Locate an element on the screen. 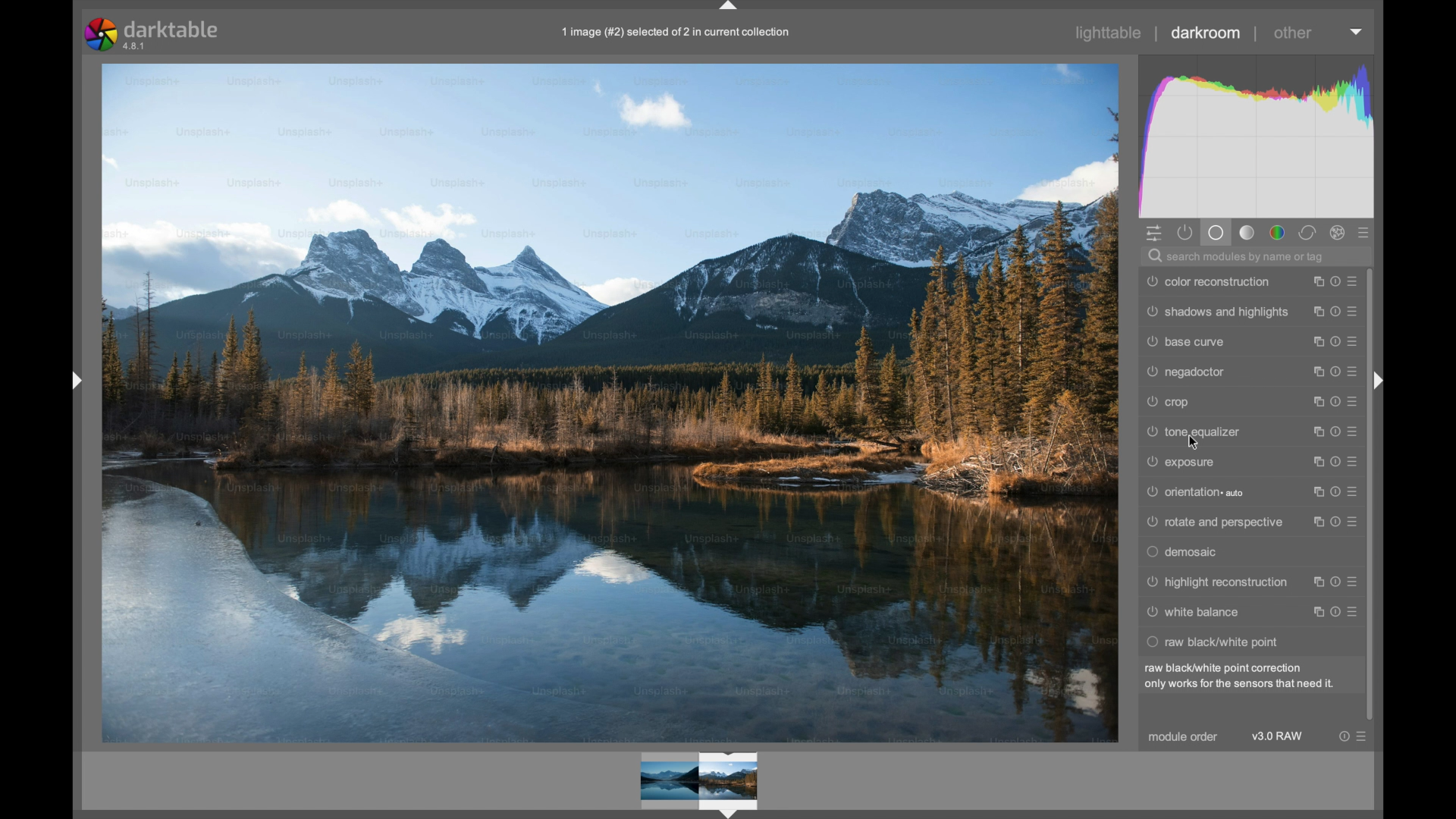  reset parameter is located at coordinates (1335, 432).